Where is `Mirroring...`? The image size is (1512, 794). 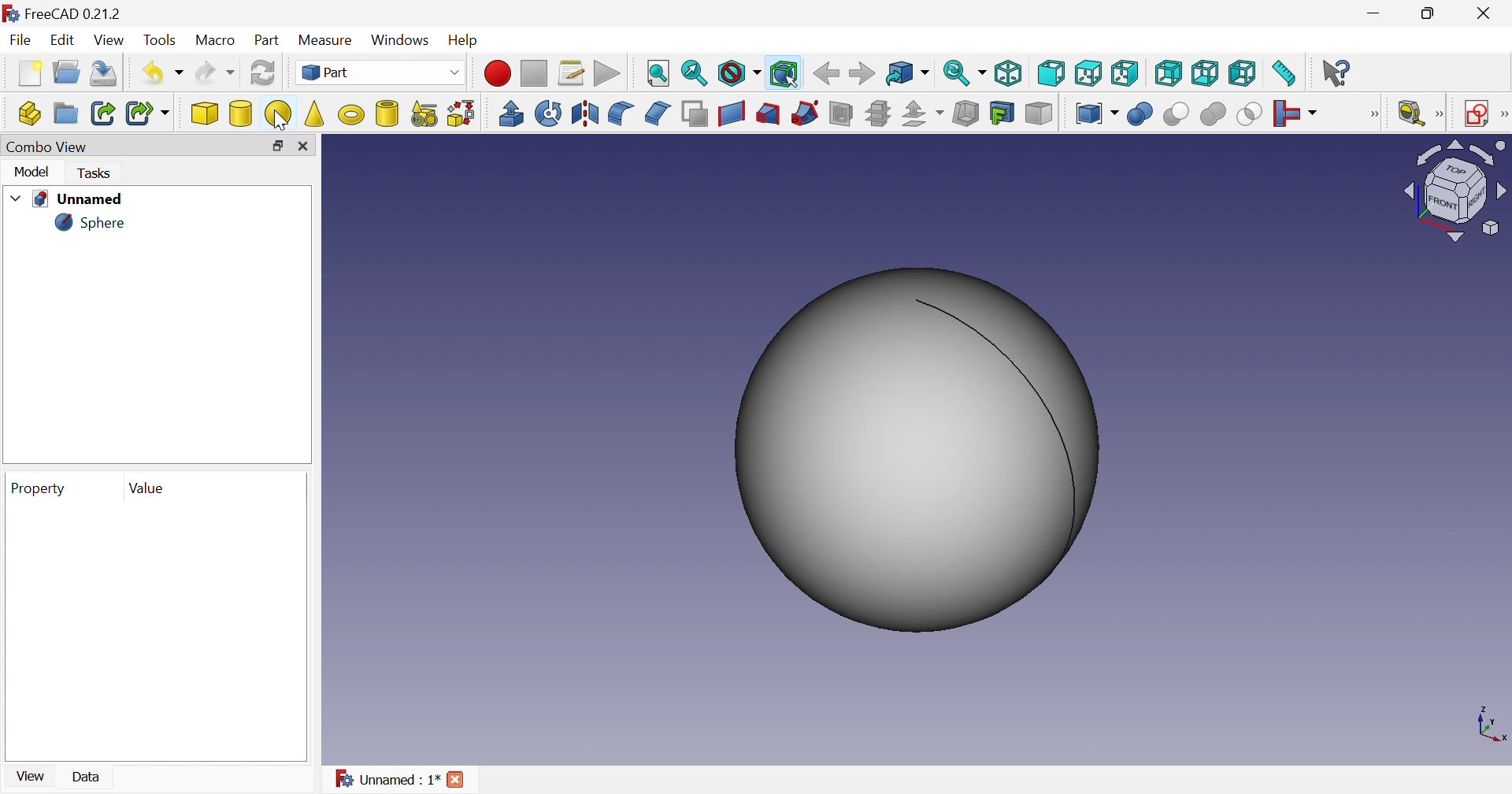
Mirroring... is located at coordinates (584, 113).